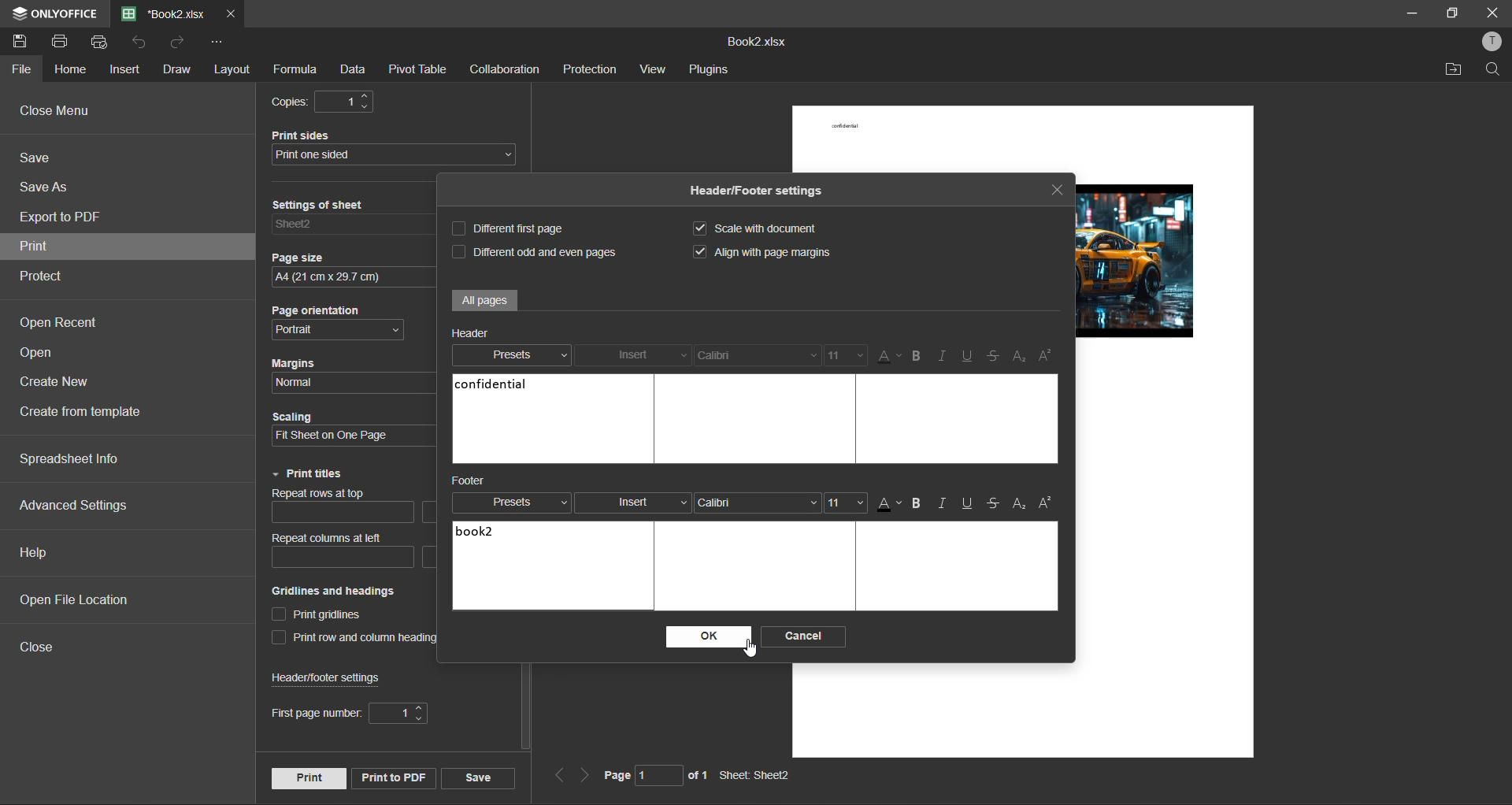 The width and height of the screenshot is (1512, 805). Describe the element at coordinates (18, 14) in the screenshot. I see `icon` at that location.